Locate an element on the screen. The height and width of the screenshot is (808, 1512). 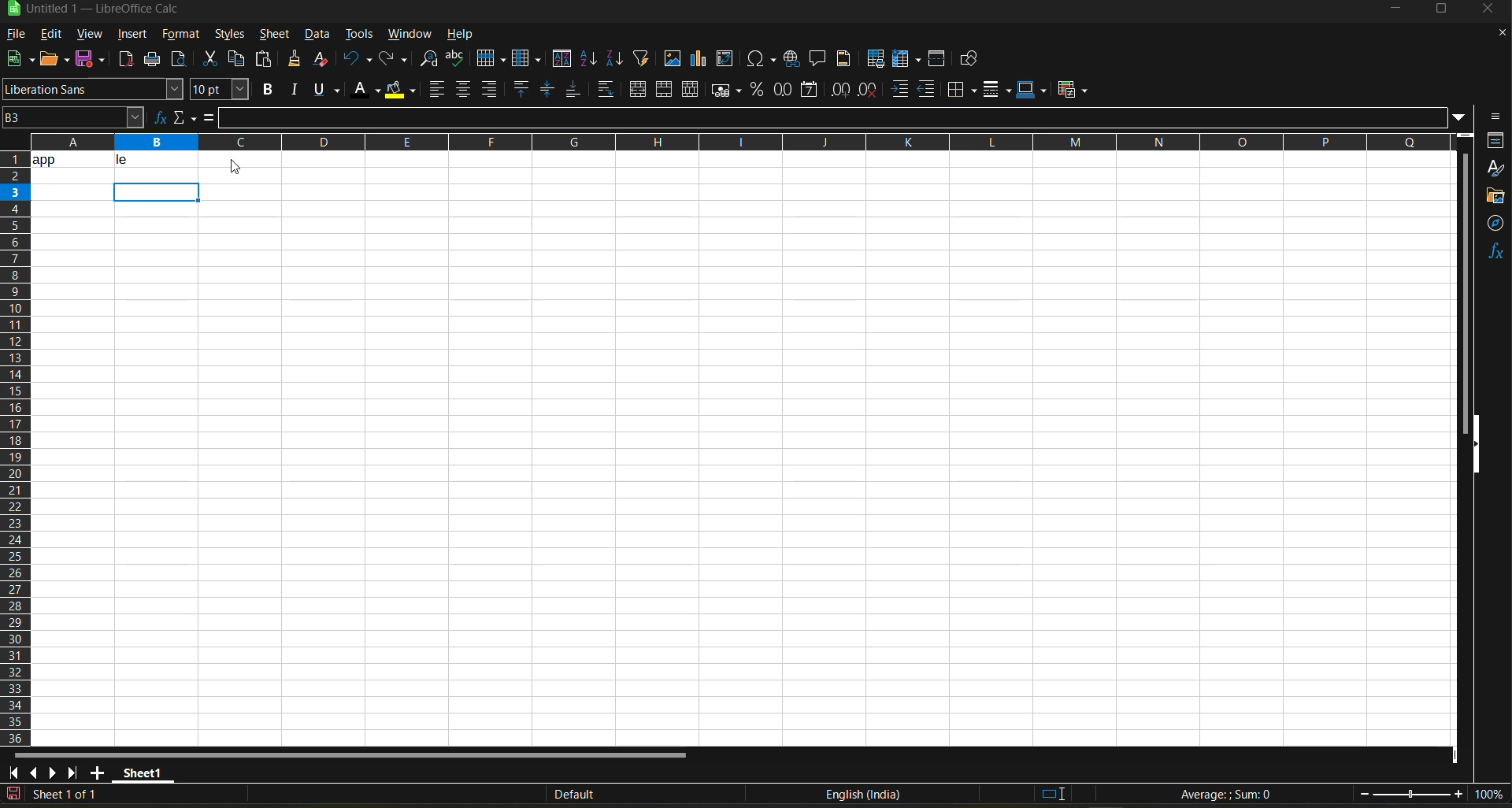
zoom factor is located at coordinates (1492, 795).